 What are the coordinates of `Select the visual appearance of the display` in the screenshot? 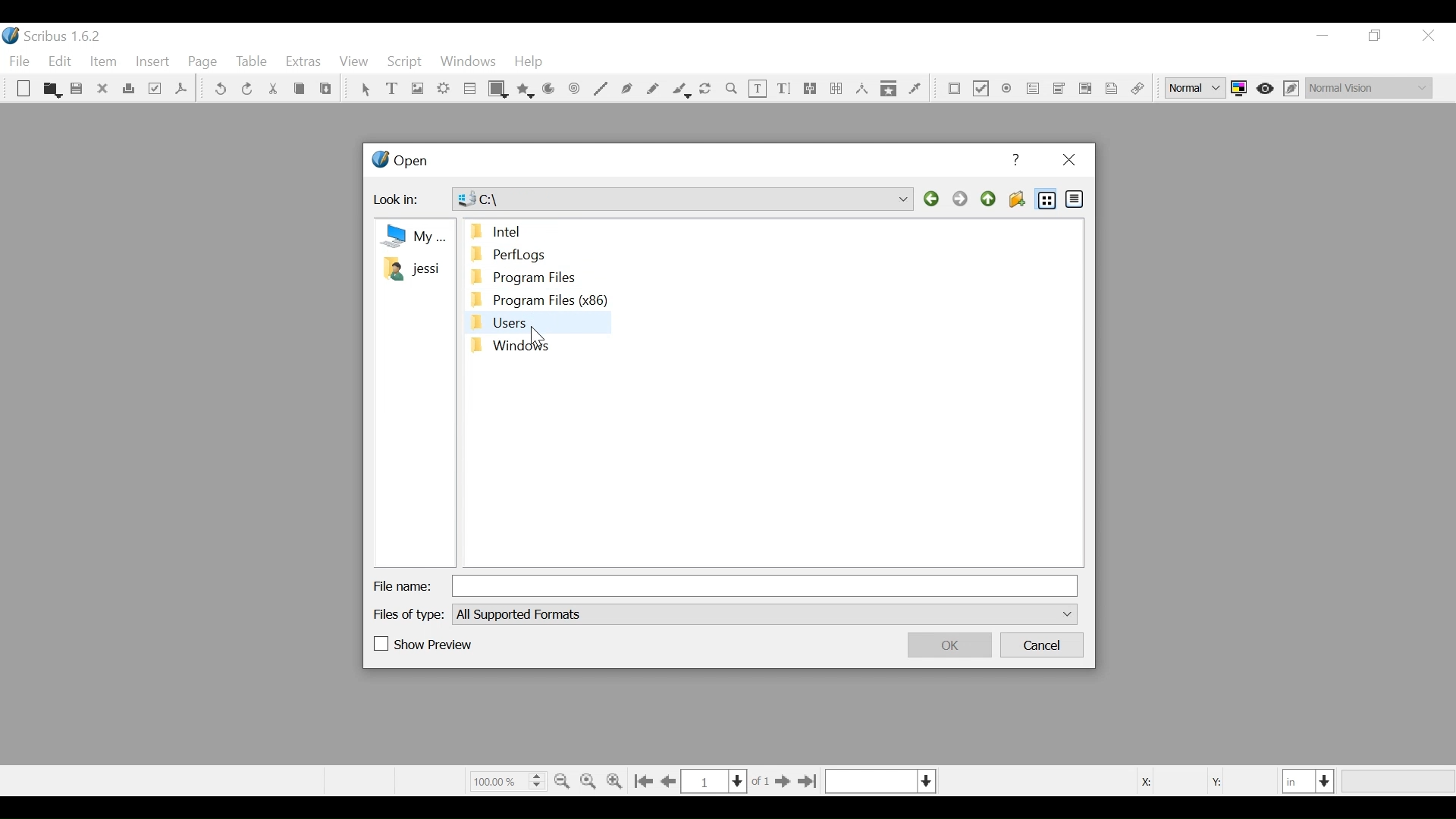 It's located at (1368, 86).